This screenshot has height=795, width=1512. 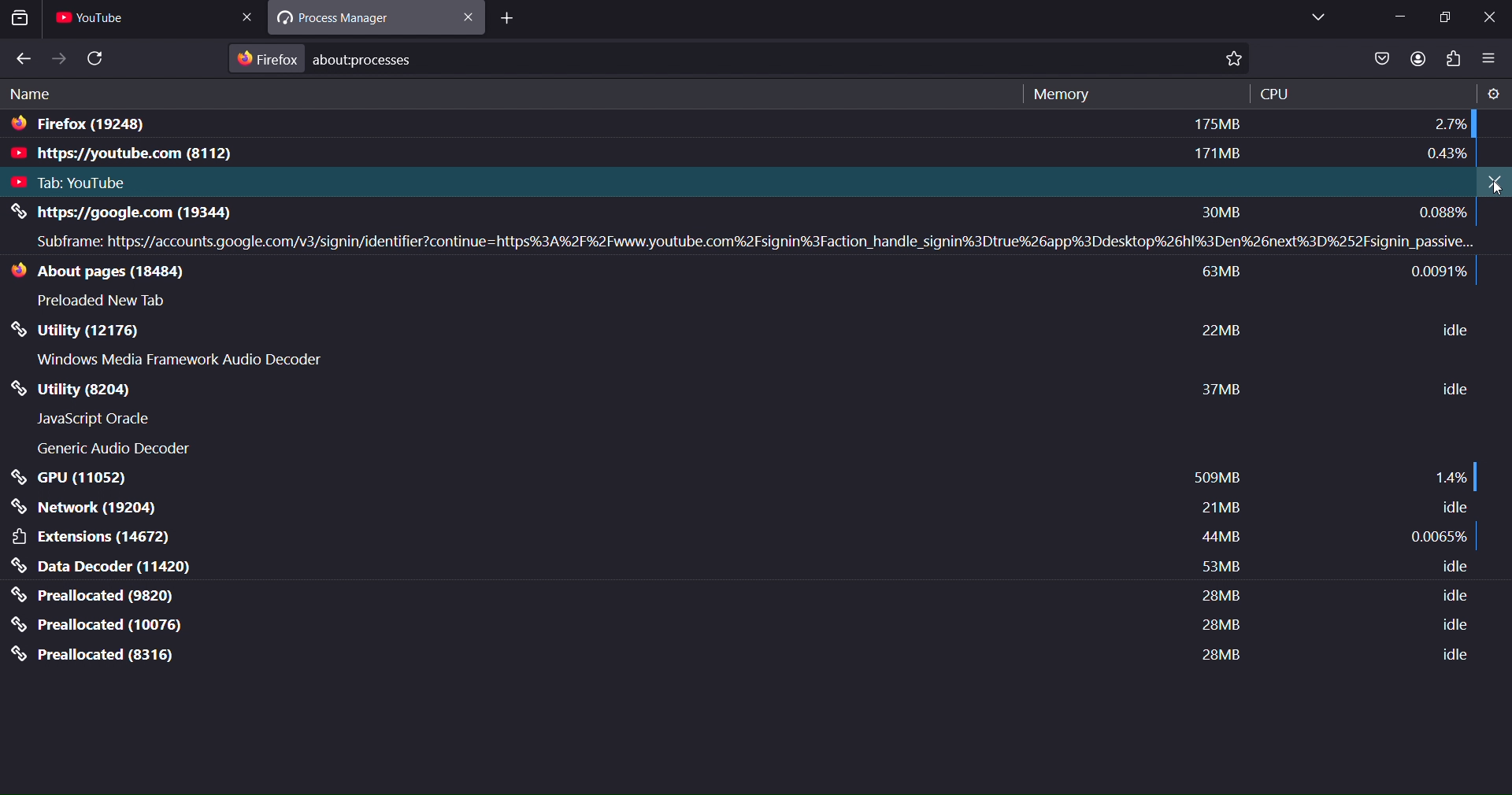 What do you see at coordinates (1492, 94) in the screenshot?
I see `settings` at bounding box center [1492, 94].